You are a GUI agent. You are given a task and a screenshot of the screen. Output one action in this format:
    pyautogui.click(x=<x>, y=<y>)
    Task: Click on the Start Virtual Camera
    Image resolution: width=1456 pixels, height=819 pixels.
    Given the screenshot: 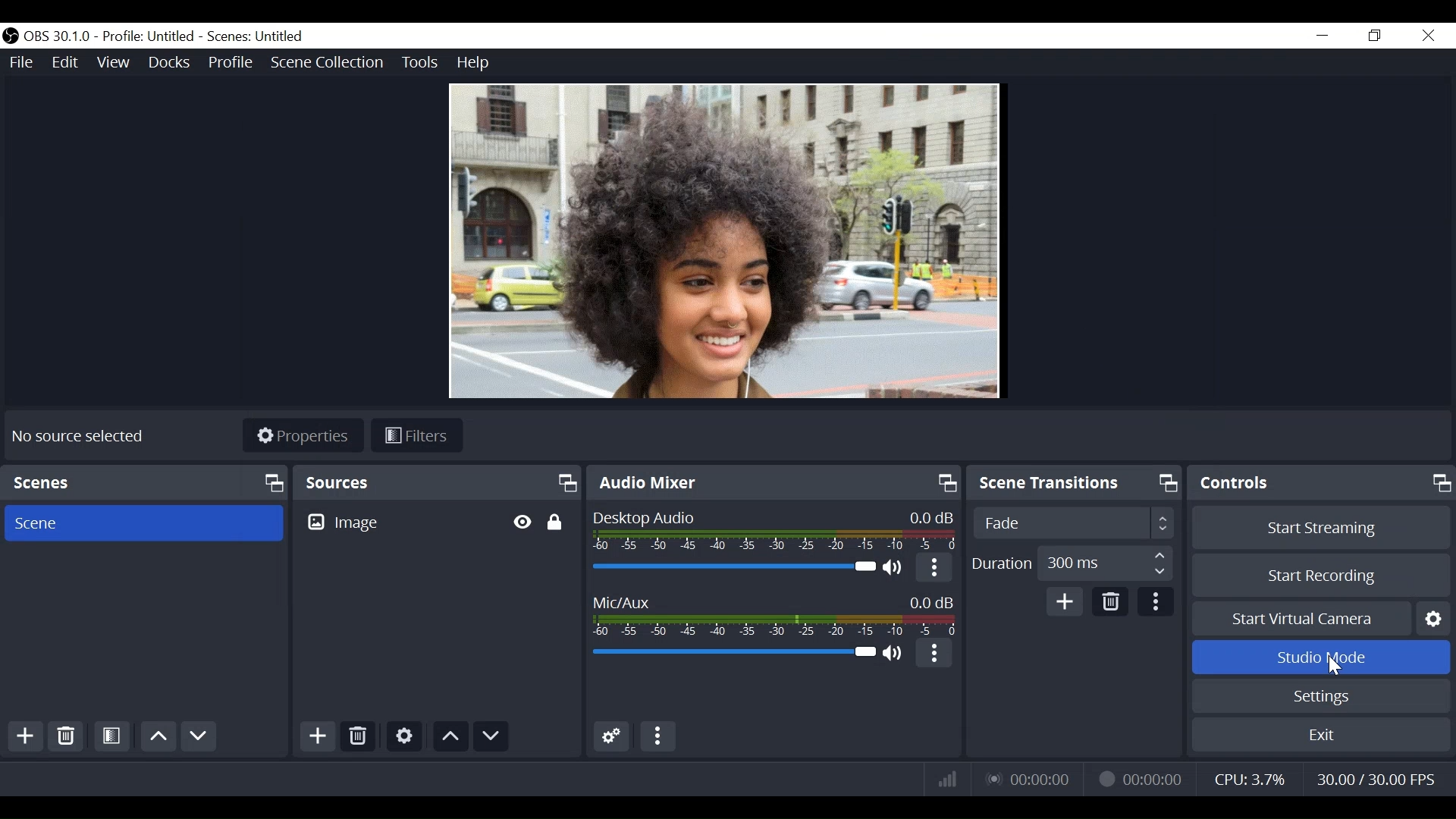 What is the action you would take?
    pyautogui.click(x=1294, y=617)
    